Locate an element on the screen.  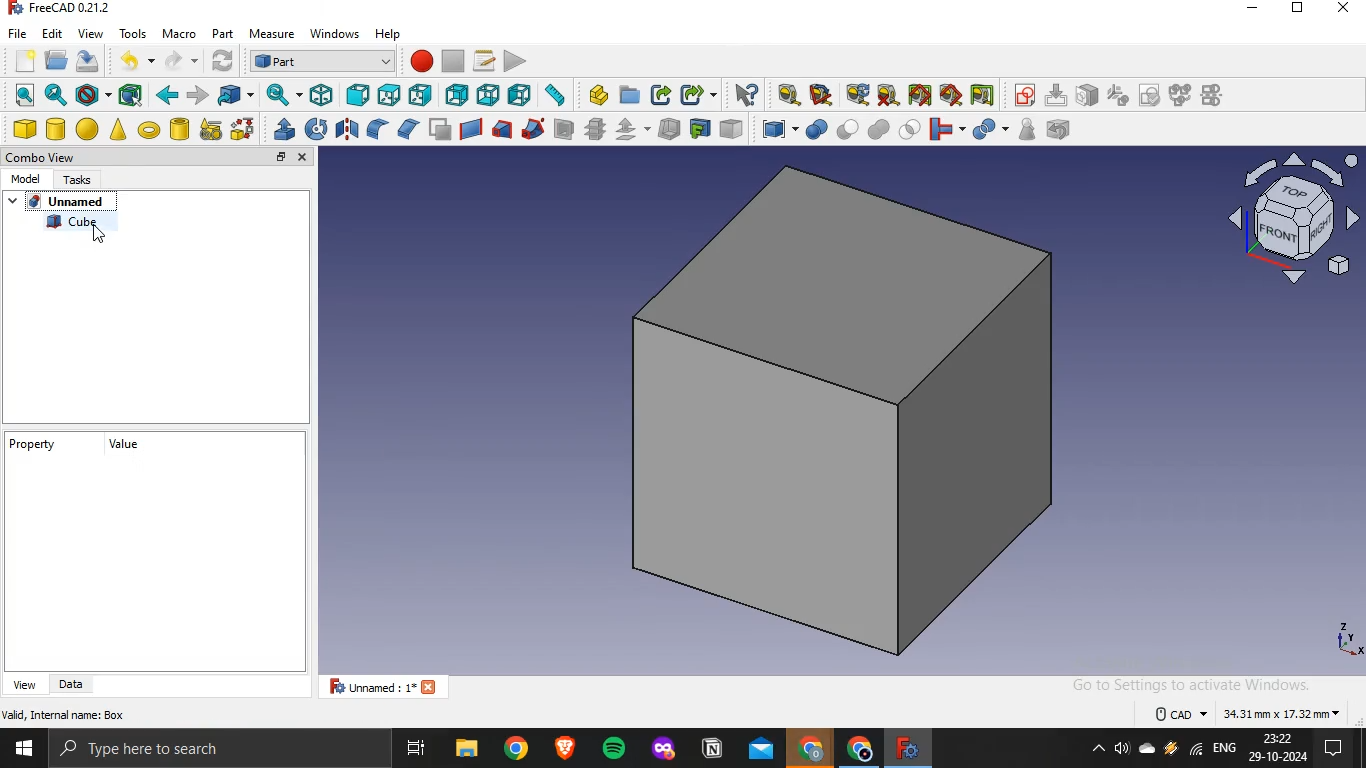
fillet is located at coordinates (379, 129).